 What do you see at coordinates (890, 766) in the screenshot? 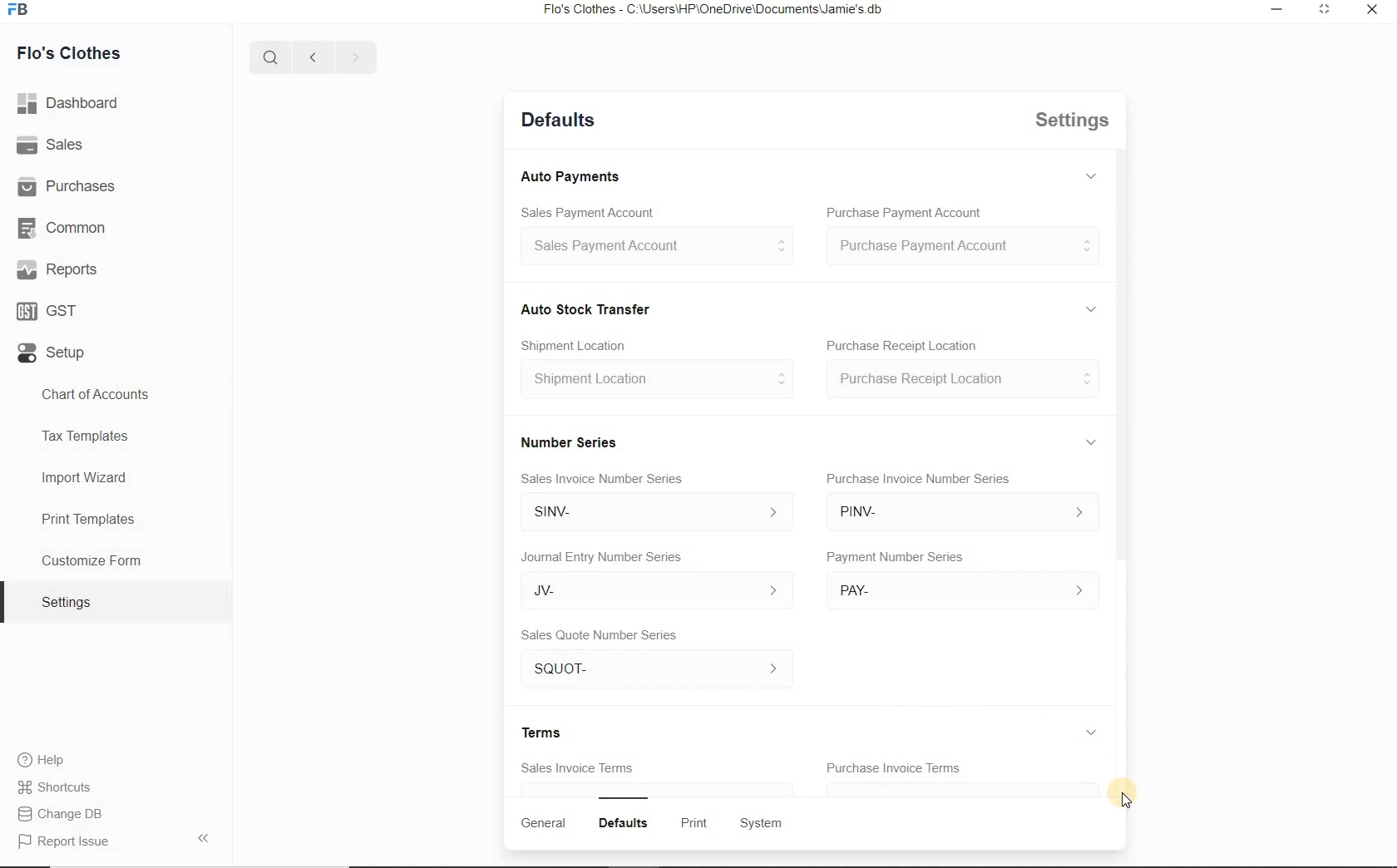
I see `Purchase Invoice Terms.` at bounding box center [890, 766].